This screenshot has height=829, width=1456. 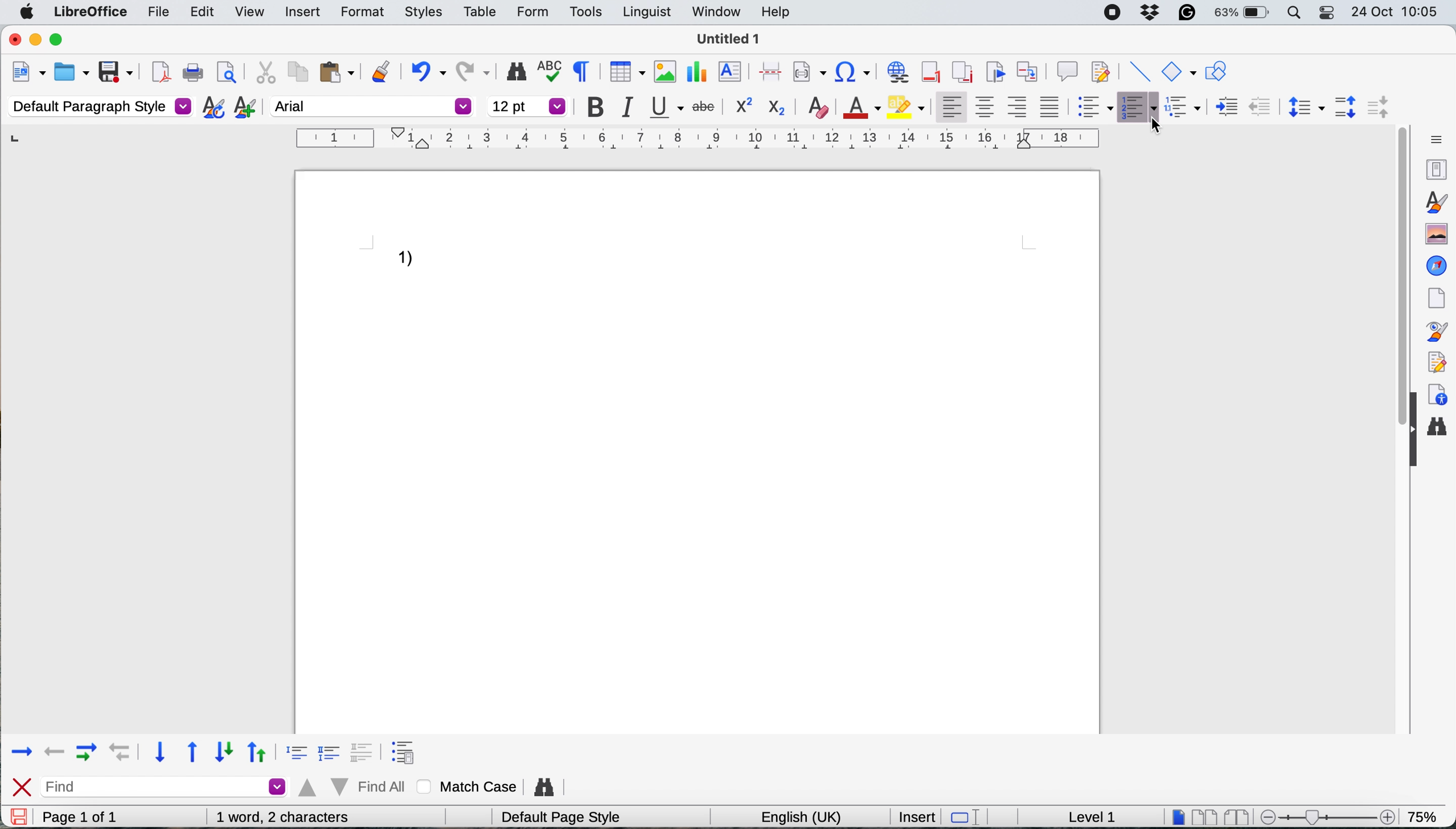 What do you see at coordinates (89, 12) in the screenshot?
I see `libre office` at bounding box center [89, 12].